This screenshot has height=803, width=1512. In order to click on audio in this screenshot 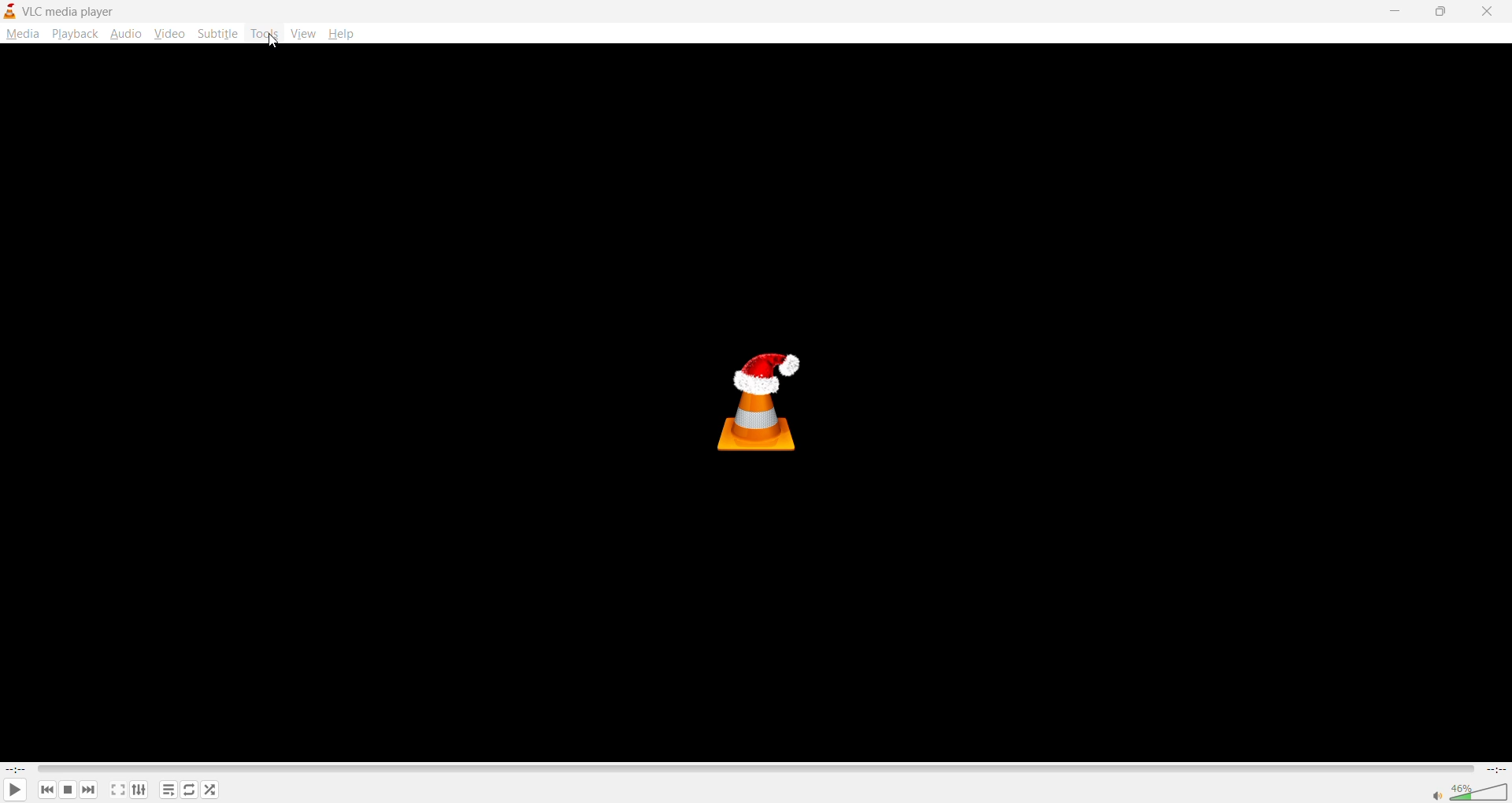, I will do `click(127, 35)`.